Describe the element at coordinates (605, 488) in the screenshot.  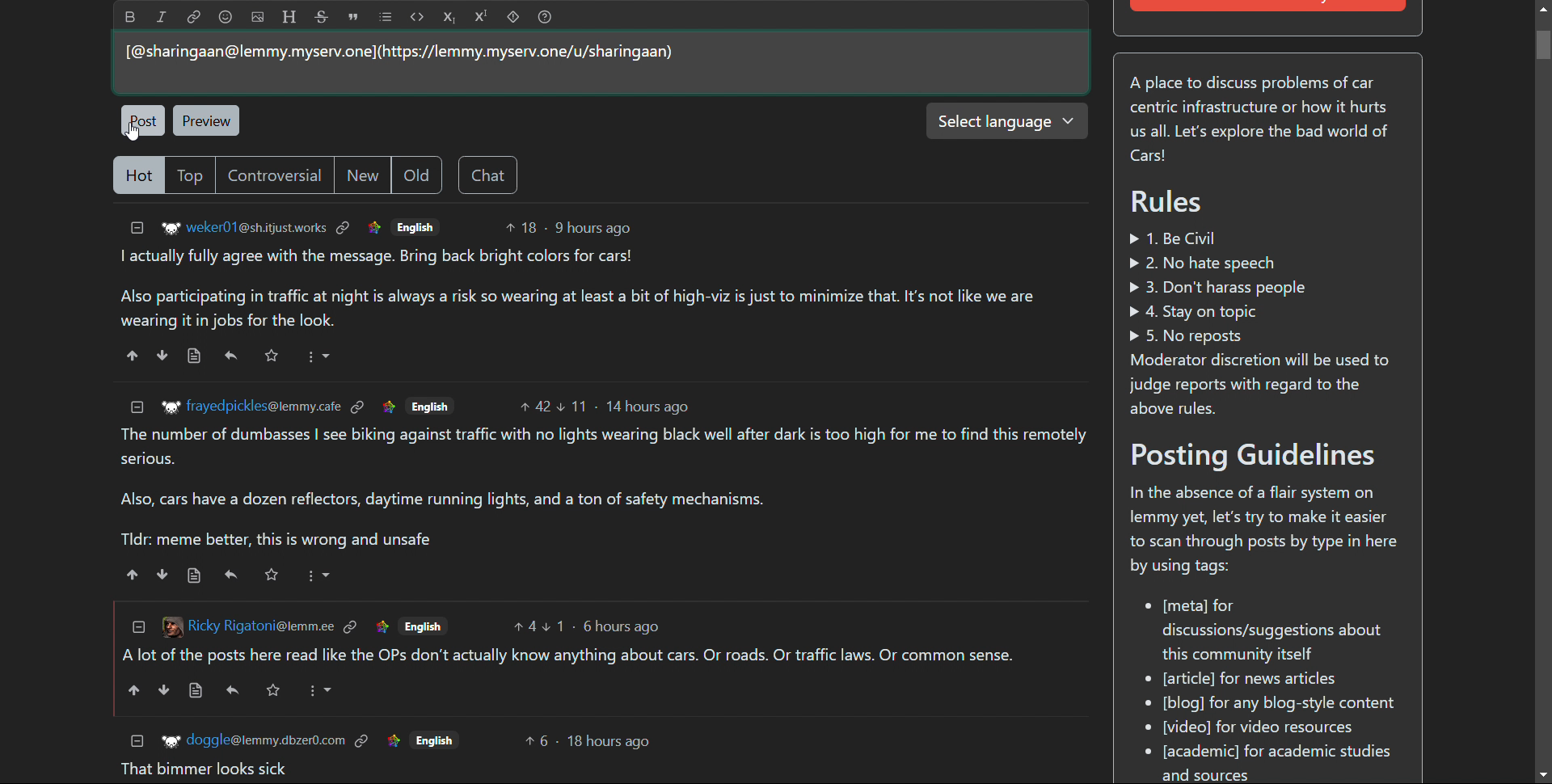
I see `The number of dumbasses | see biking against traffic with no lights wearing black well after dark is too high for me to find this remotely
serious.

Also, cars have a dozen reflectors, daytime running lights, and a ton of safety mechanisms.

Tldr: meme better, this is wrong and unsafe` at that location.